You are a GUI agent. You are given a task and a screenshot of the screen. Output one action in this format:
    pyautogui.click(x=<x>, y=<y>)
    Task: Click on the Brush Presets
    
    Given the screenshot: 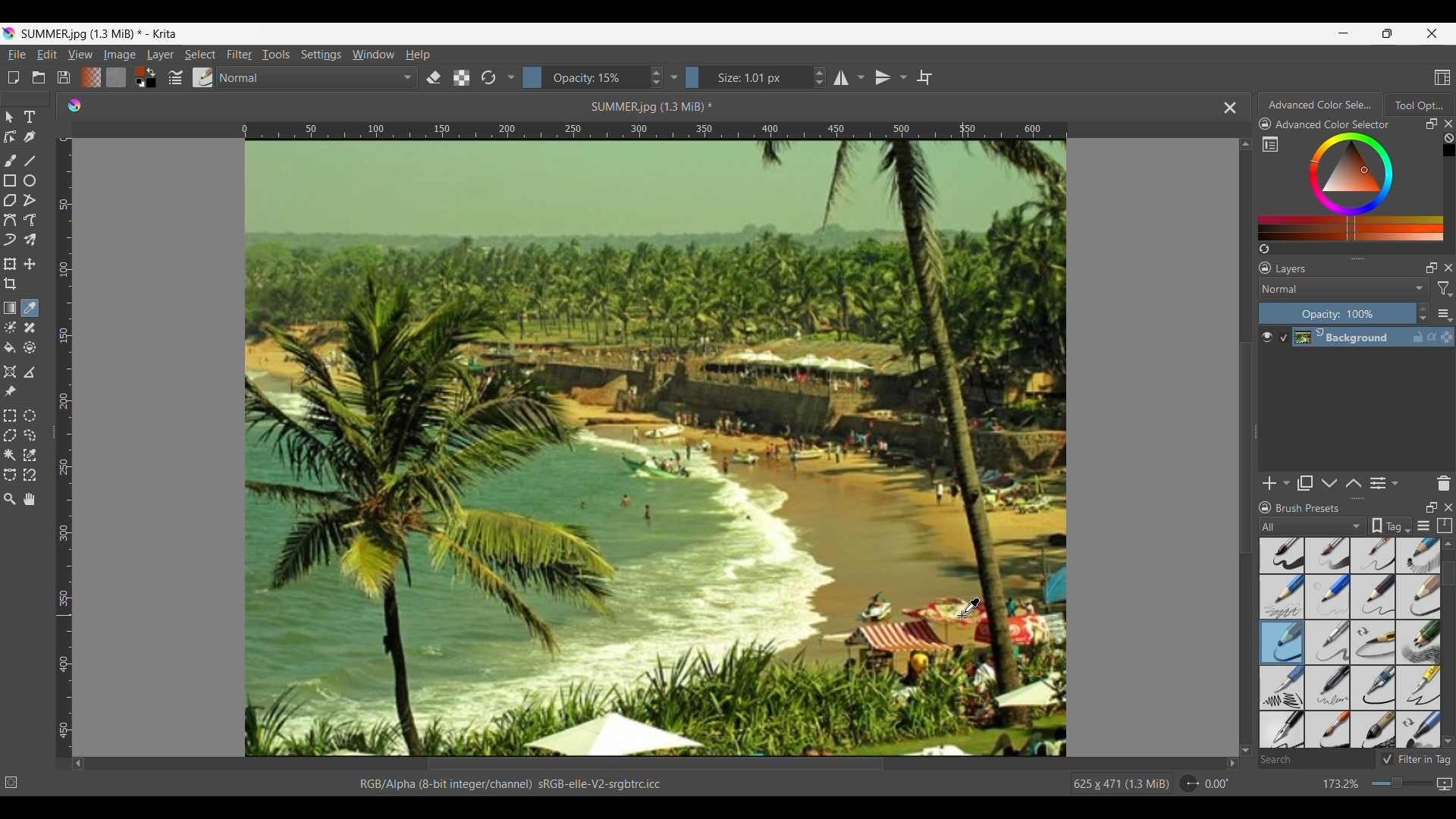 What is the action you would take?
    pyautogui.click(x=1308, y=508)
    